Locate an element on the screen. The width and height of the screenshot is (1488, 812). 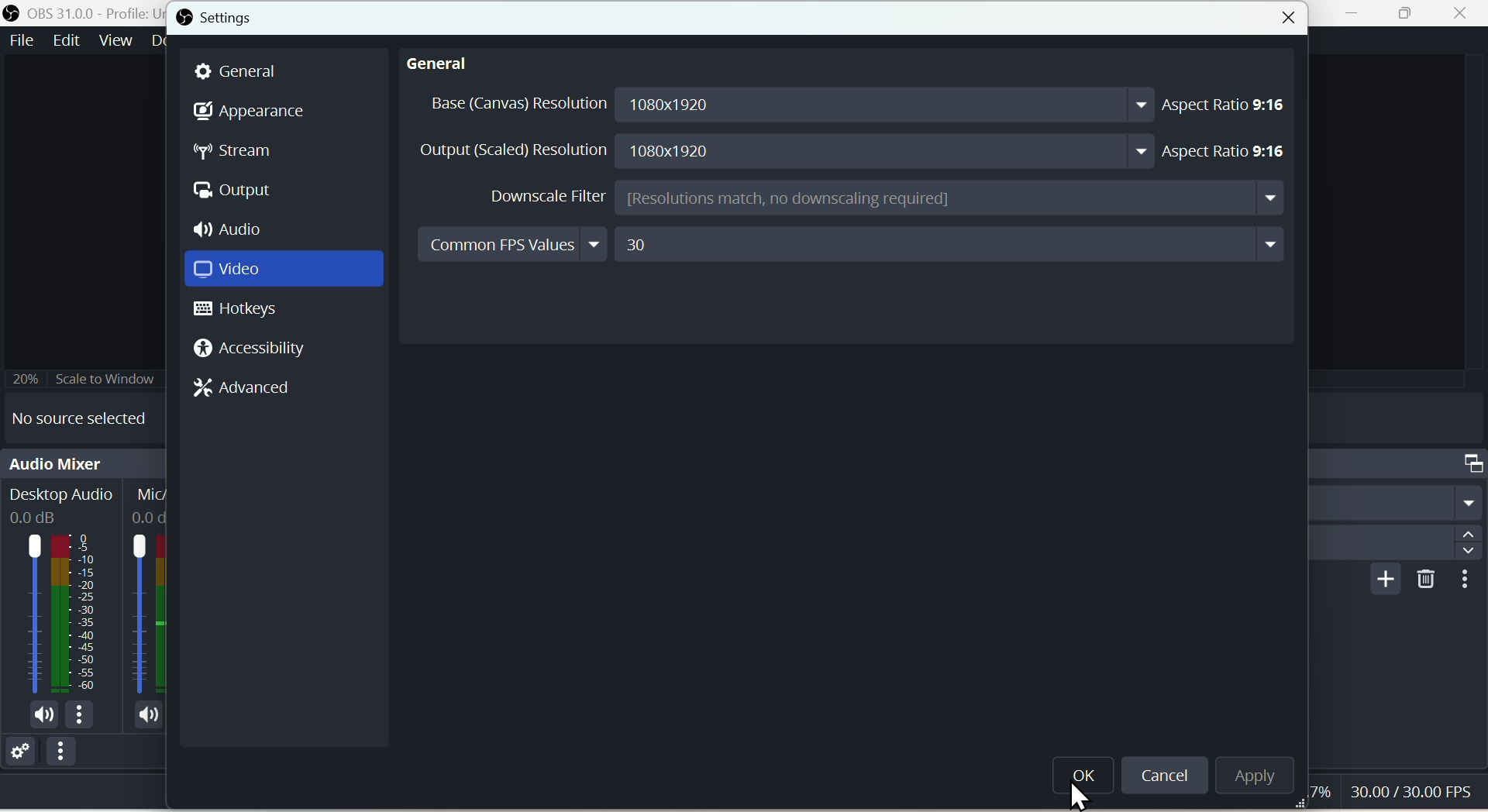
 is located at coordinates (283, 271).